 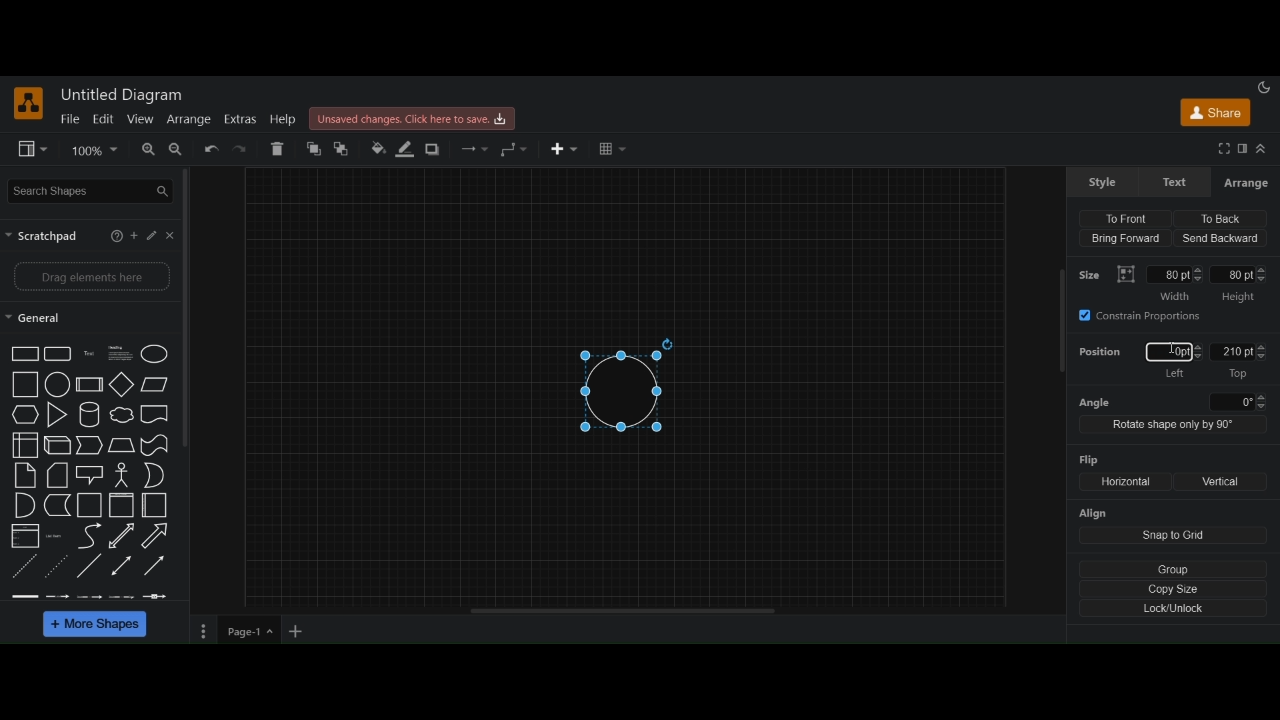 What do you see at coordinates (89, 384) in the screenshot?
I see `Cube` at bounding box center [89, 384].